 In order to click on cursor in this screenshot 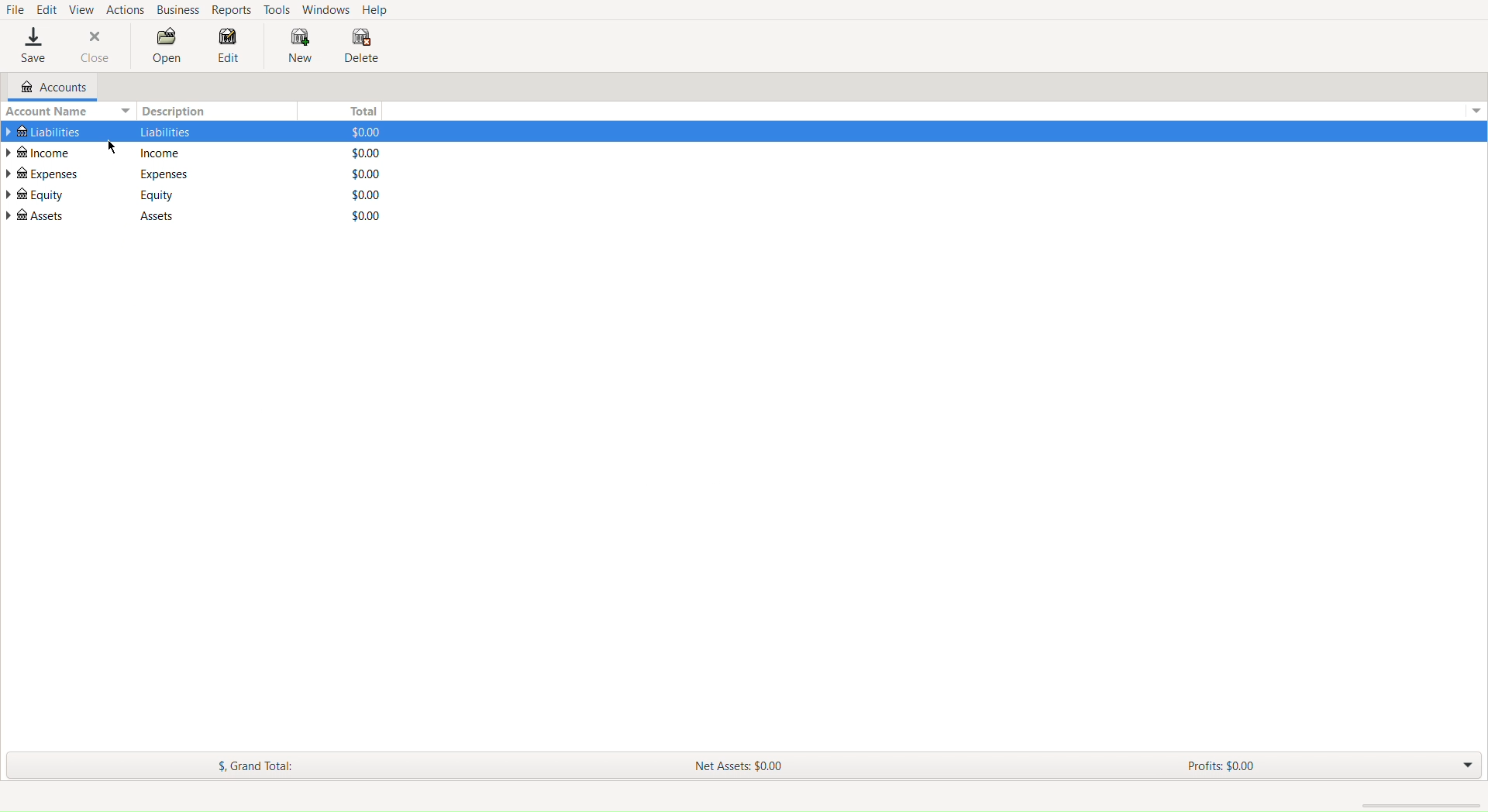, I will do `click(113, 146)`.